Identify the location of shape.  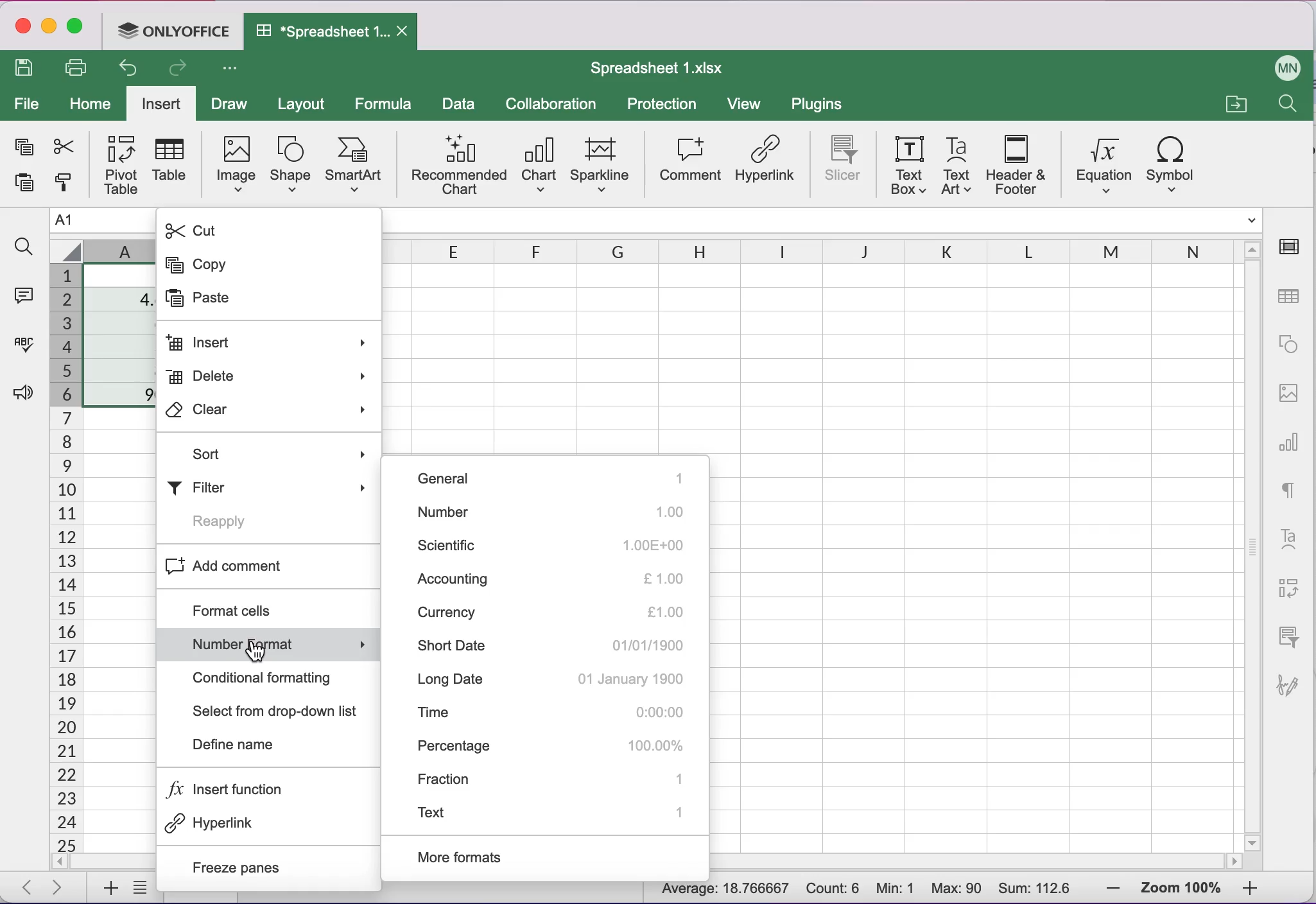
(289, 168).